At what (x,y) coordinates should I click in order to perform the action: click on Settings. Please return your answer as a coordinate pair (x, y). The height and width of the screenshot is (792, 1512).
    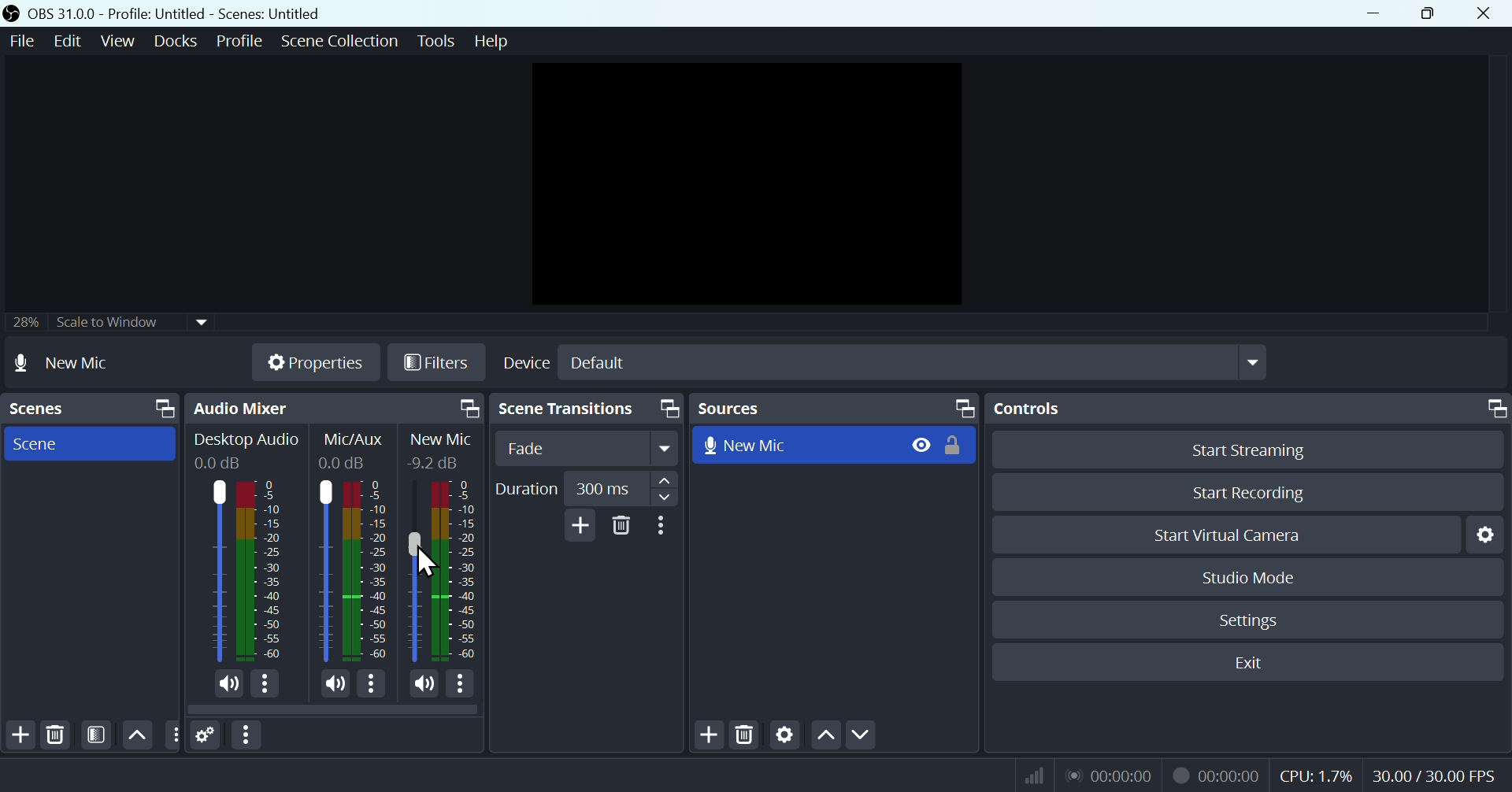
    Looking at the image, I should click on (785, 737).